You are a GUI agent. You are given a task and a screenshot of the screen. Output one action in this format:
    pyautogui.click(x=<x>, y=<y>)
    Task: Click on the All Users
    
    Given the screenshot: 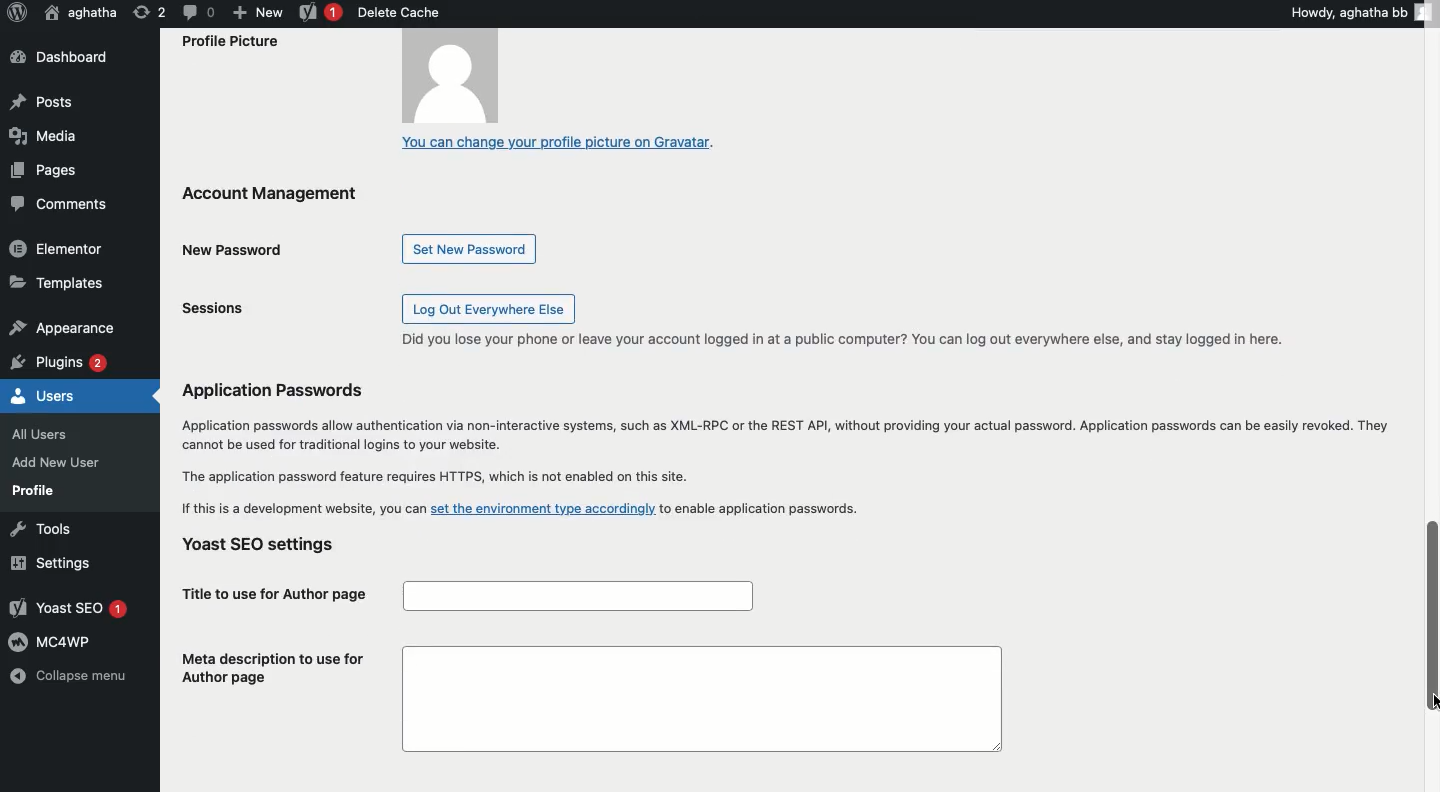 What is the action you would take?
    pyautogui.click(x=50, y=432)
    